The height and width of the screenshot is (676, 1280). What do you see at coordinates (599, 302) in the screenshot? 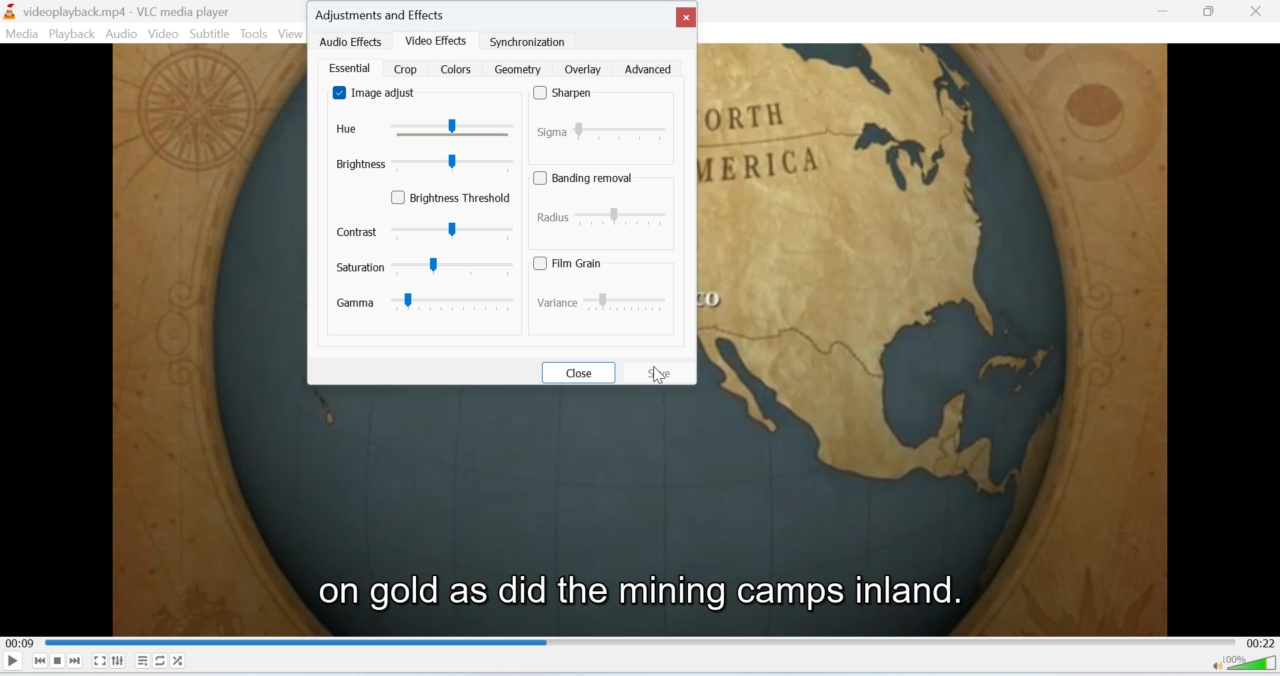
I see `variance` at bounding box center [599, 302].